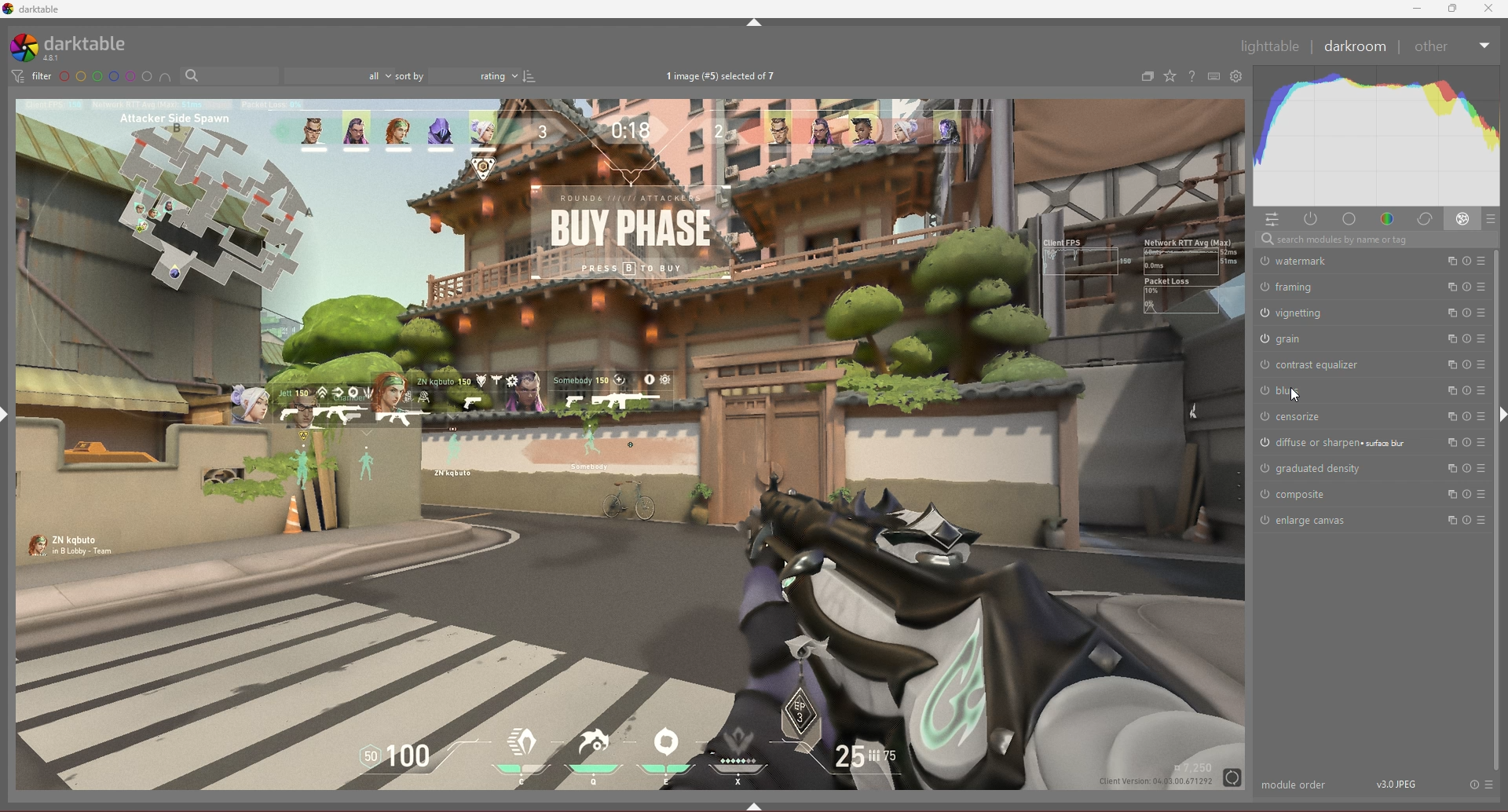  I want to click on lighttable, so click(1271, 47).